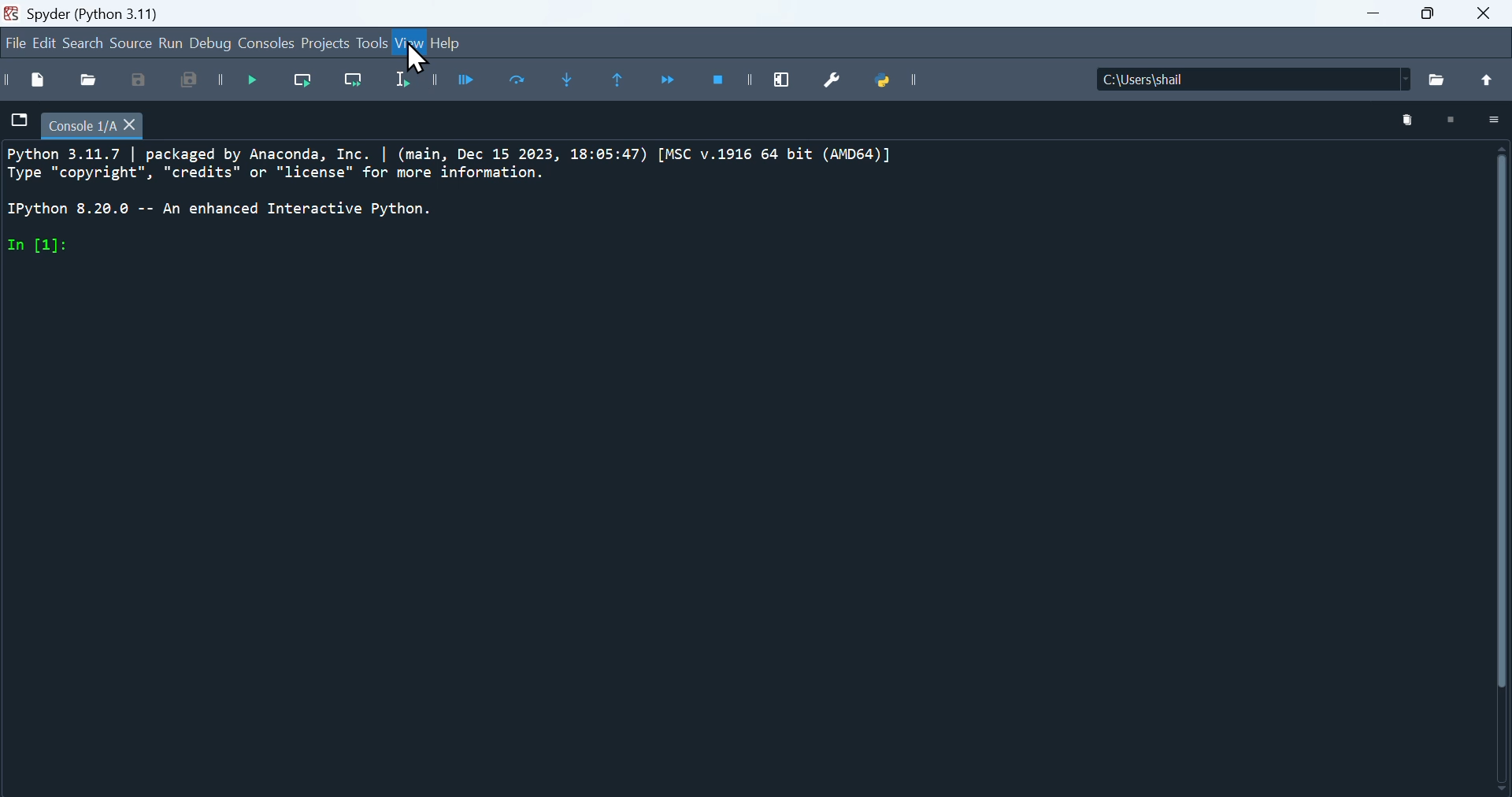 The height and width of the screenshot is (797, 1512). Describe the element at coordinates (369, 44) in the screenshot. I see `Tools` at that location.